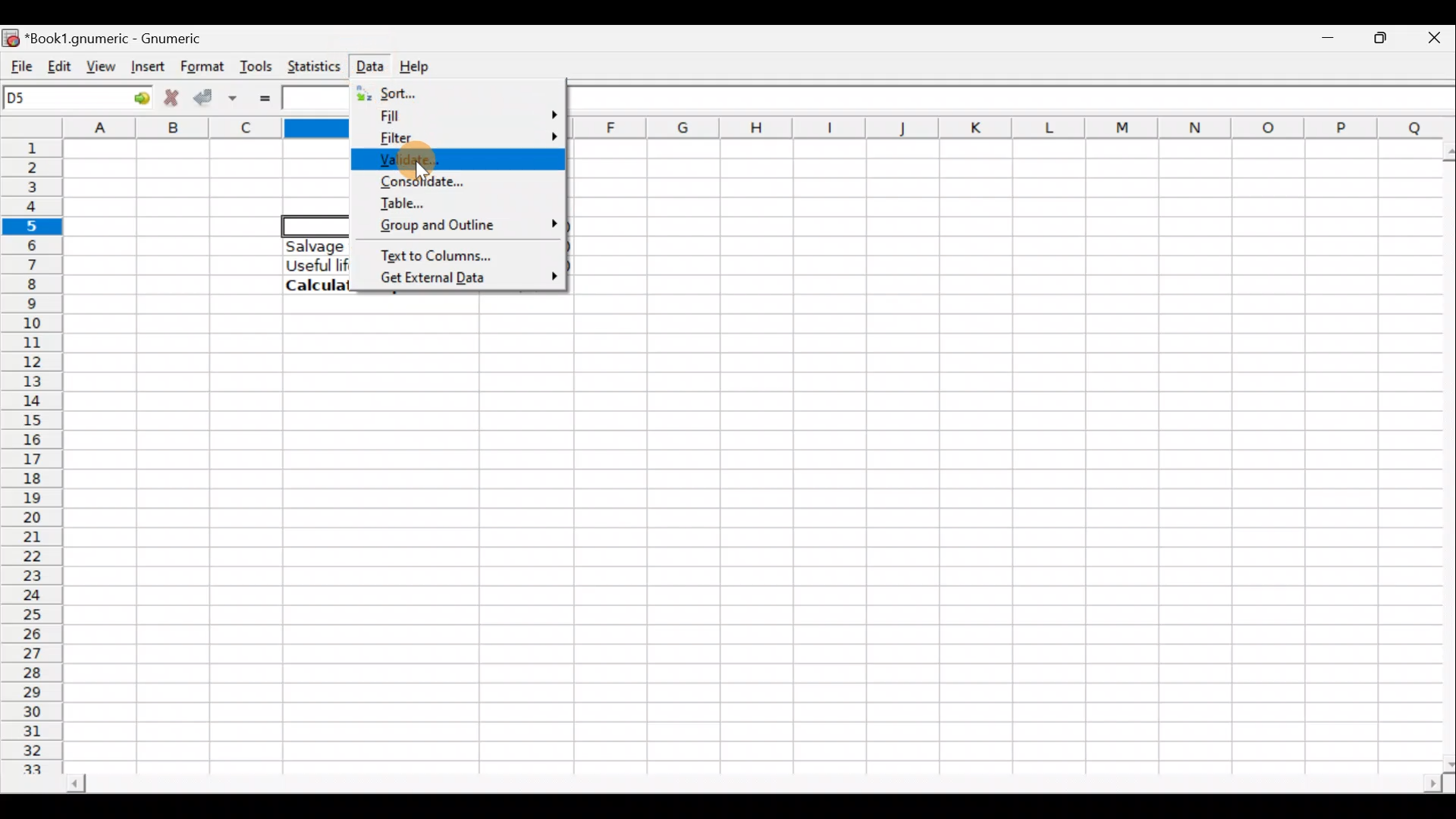 The image size is (1456, 819). What do you see at coordinates (456, 183) in the screenshot?
I see `Consolidate` at bounding box center [456, 183].